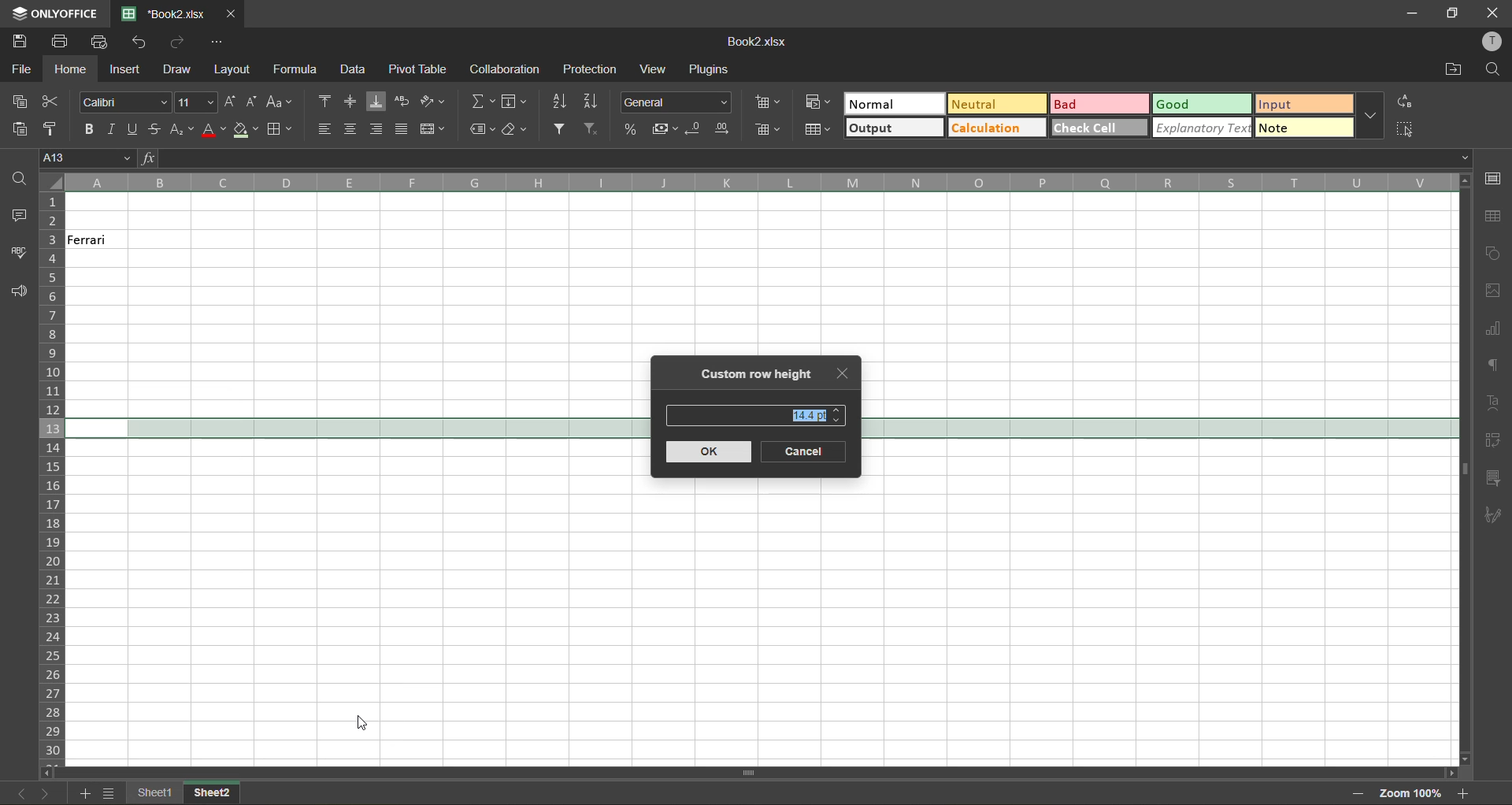  Describe the element at coordinates (766, 132) in the screenshot. I see `delete cells` at that location.